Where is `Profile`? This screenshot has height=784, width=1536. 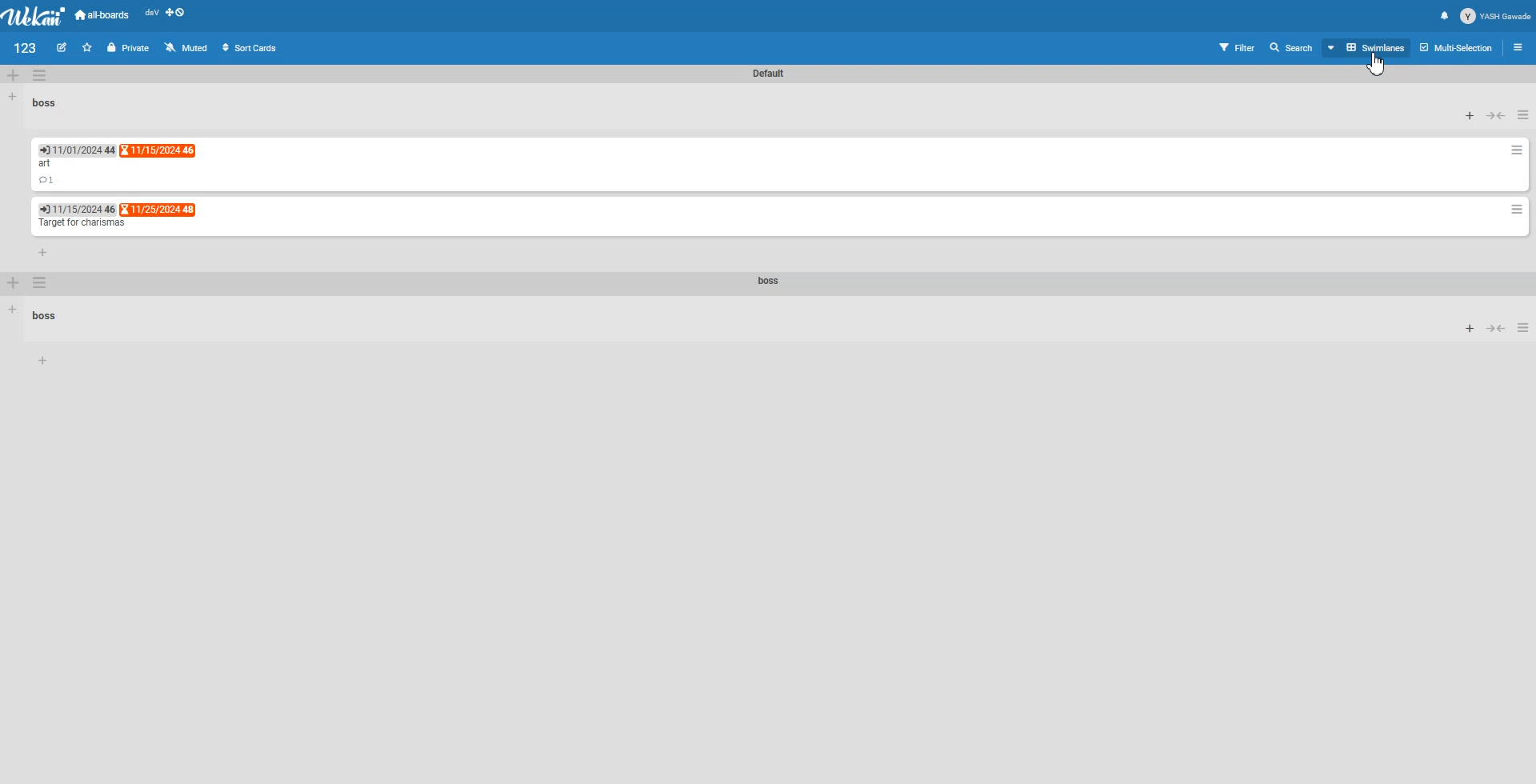
Profile is located at coordinates (1496, 16).